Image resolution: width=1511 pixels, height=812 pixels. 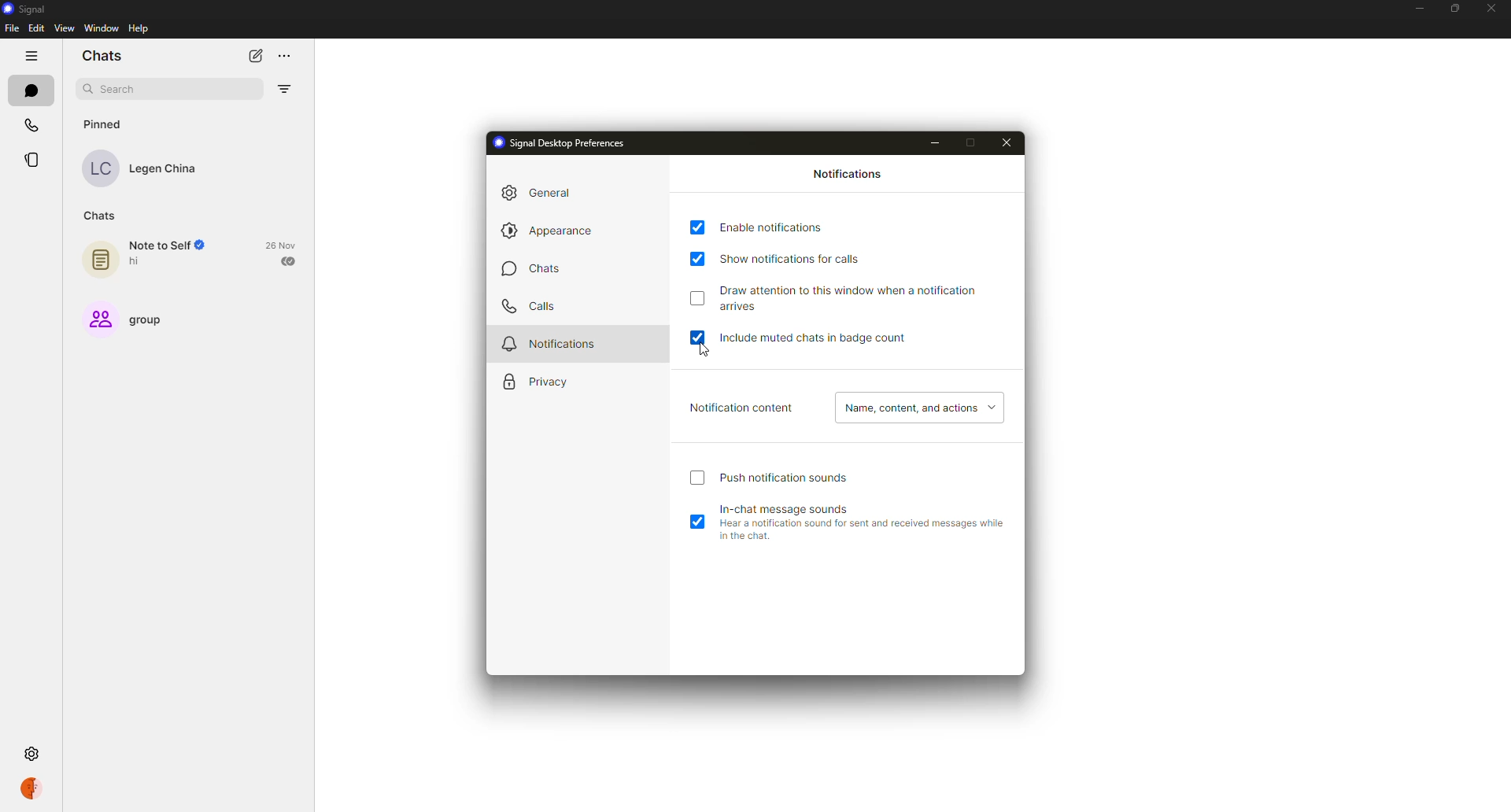 I want to click on view, so click(x=62, y=28).